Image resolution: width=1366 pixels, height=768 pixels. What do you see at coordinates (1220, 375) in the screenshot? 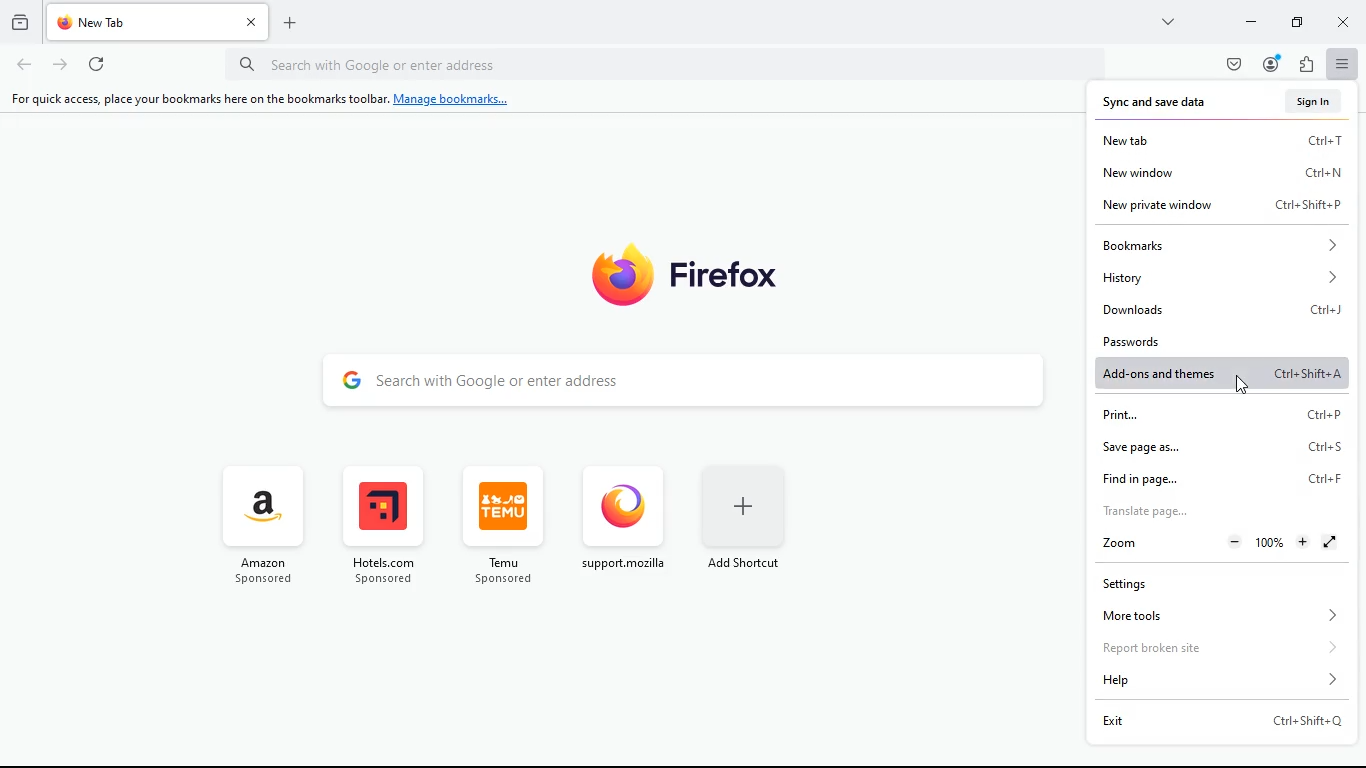
I see `add-ons and themes  ctrl+shift+A` at bounding box center [1220, 375].